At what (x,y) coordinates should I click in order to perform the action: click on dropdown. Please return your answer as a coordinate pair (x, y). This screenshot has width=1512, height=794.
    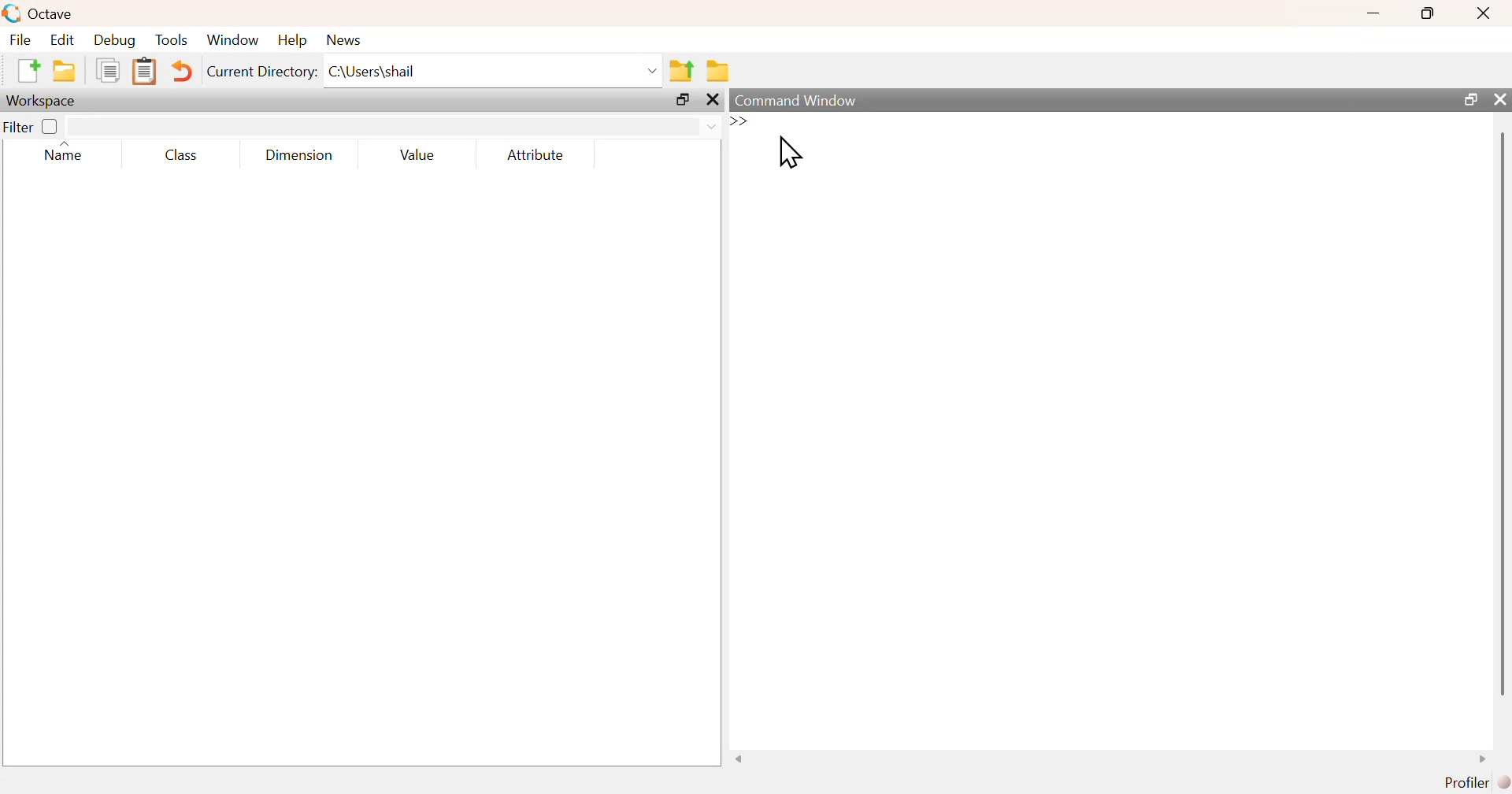
    Looking at the image, I should click on (710, 128).